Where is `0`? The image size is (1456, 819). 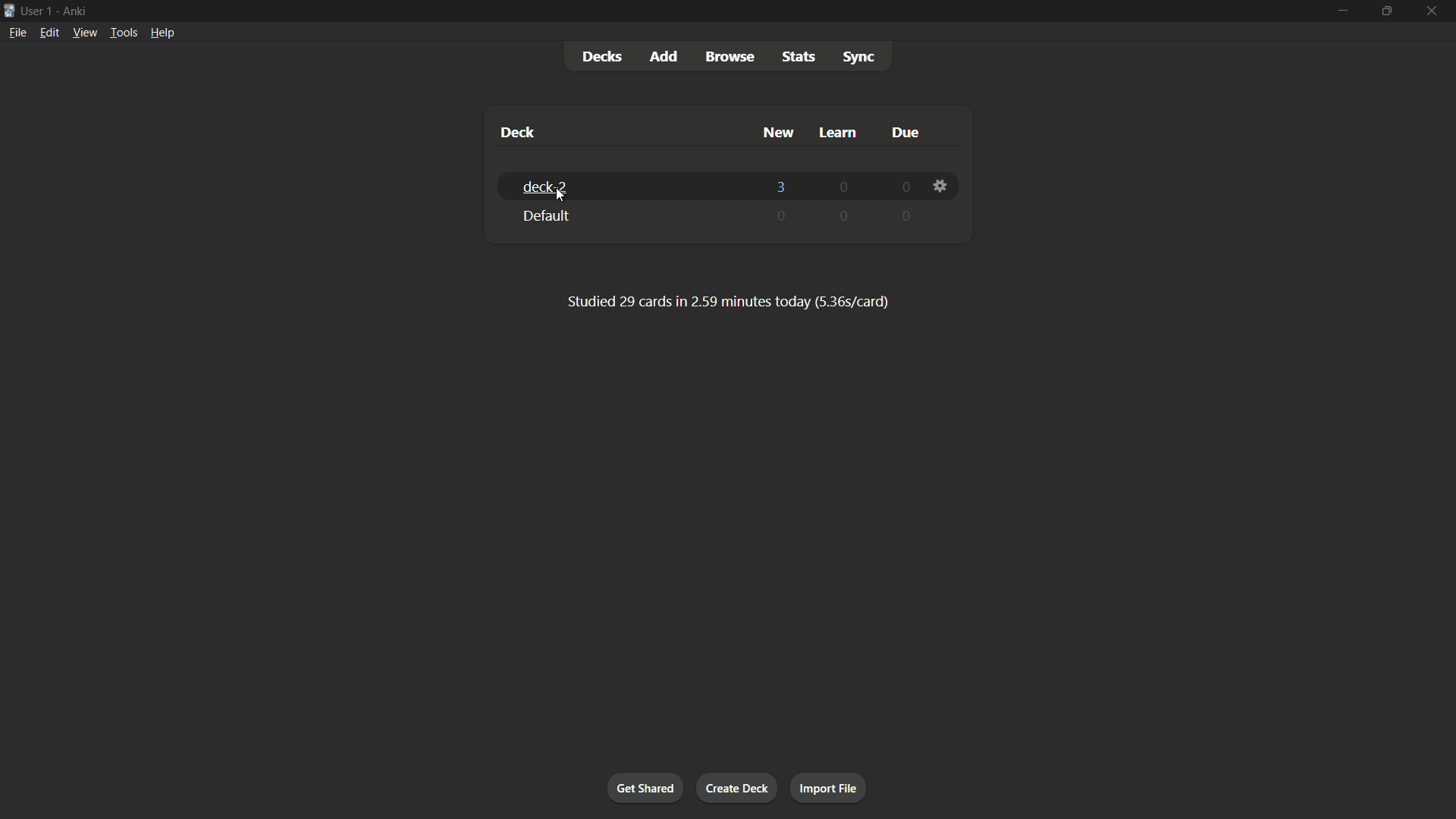
0 is located at coordinates (905, 219).